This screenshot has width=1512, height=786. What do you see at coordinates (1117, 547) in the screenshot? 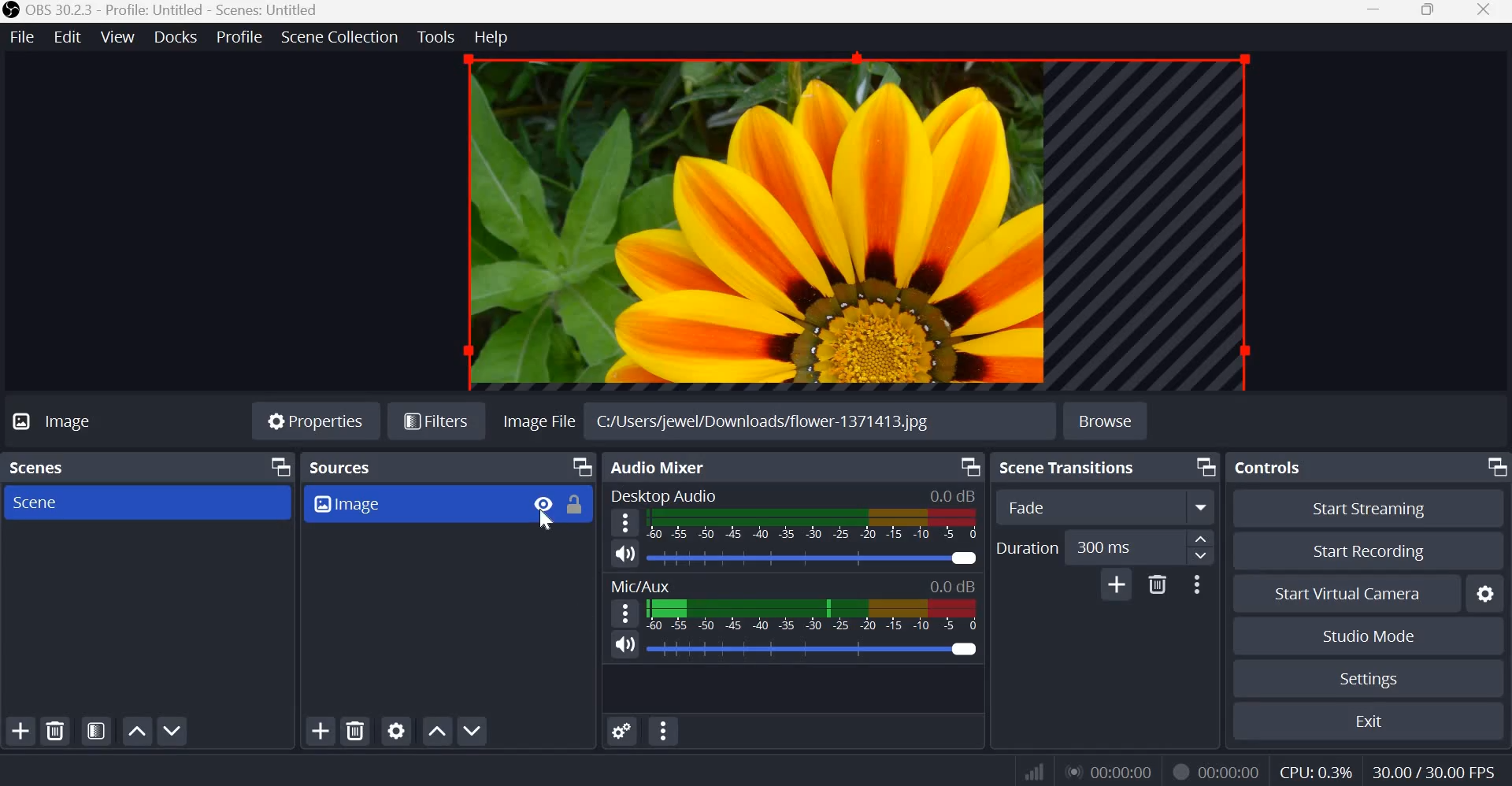
I see `edit duration` at bounding box center [1117, 547].